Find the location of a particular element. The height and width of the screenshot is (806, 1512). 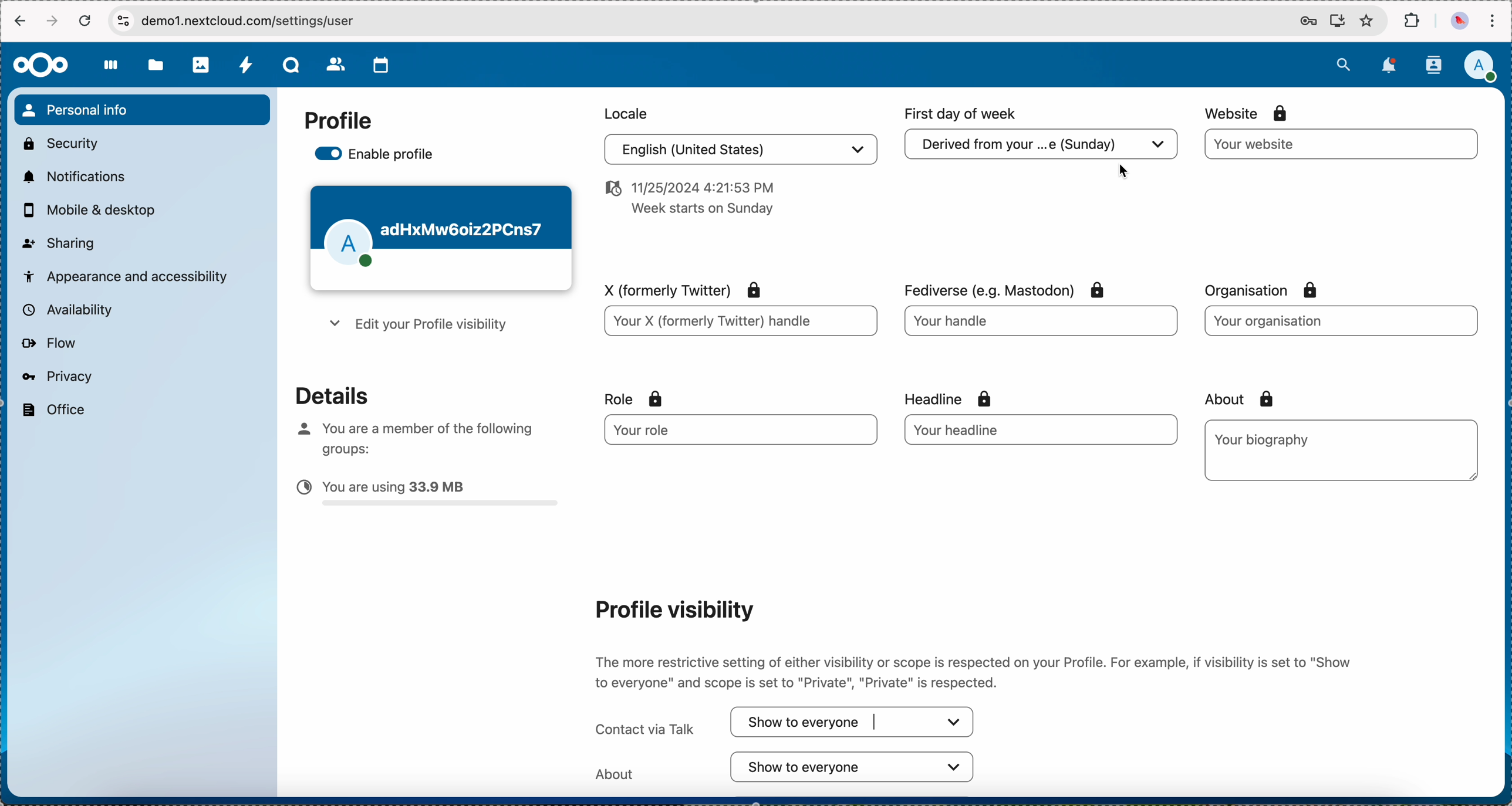

calendar is located at coordinates (382, 65).